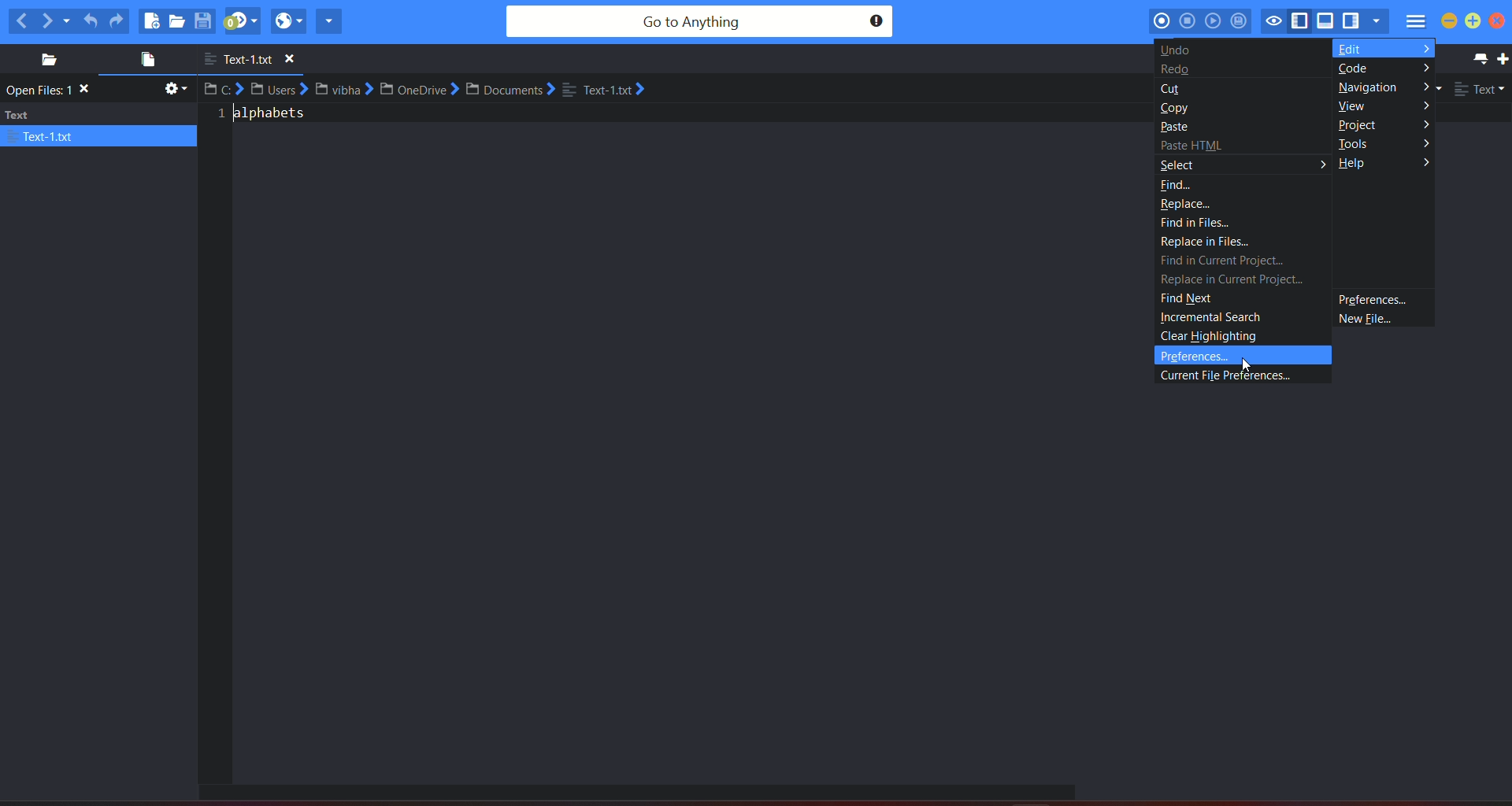  What do you see at coordinates (1189, 204) in the screenshot?
I see `replace` at bounding box center [1189, 204].